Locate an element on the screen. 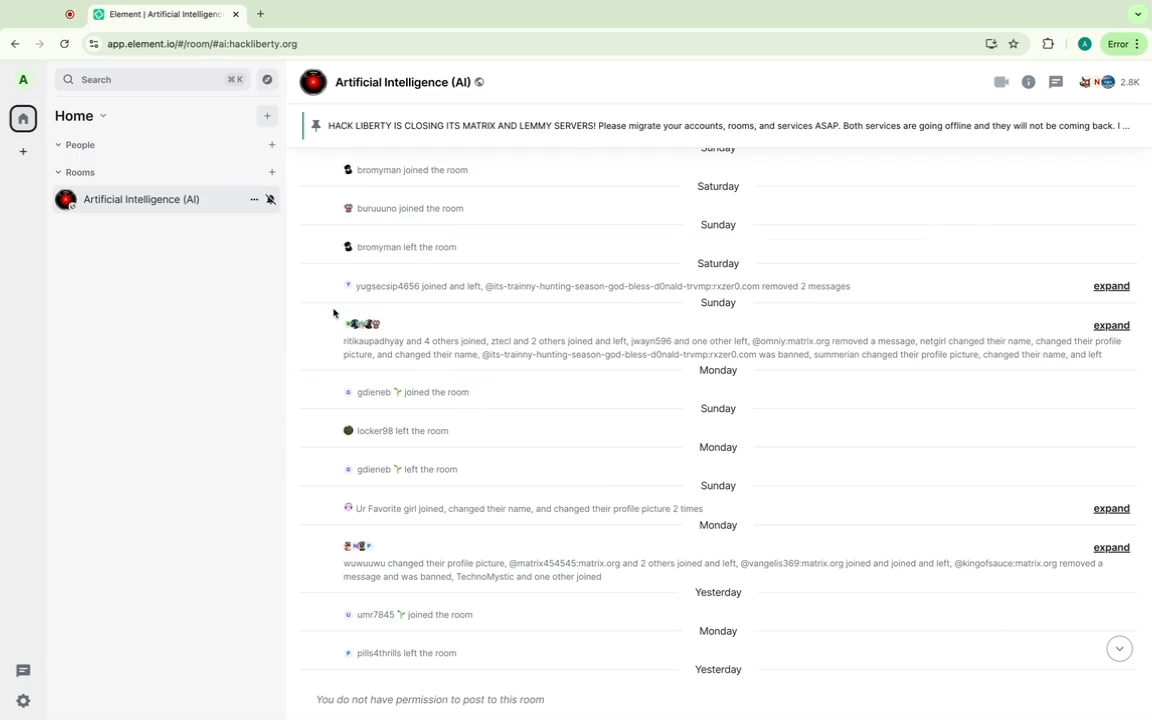  Message is located at coordinates (401, 390).